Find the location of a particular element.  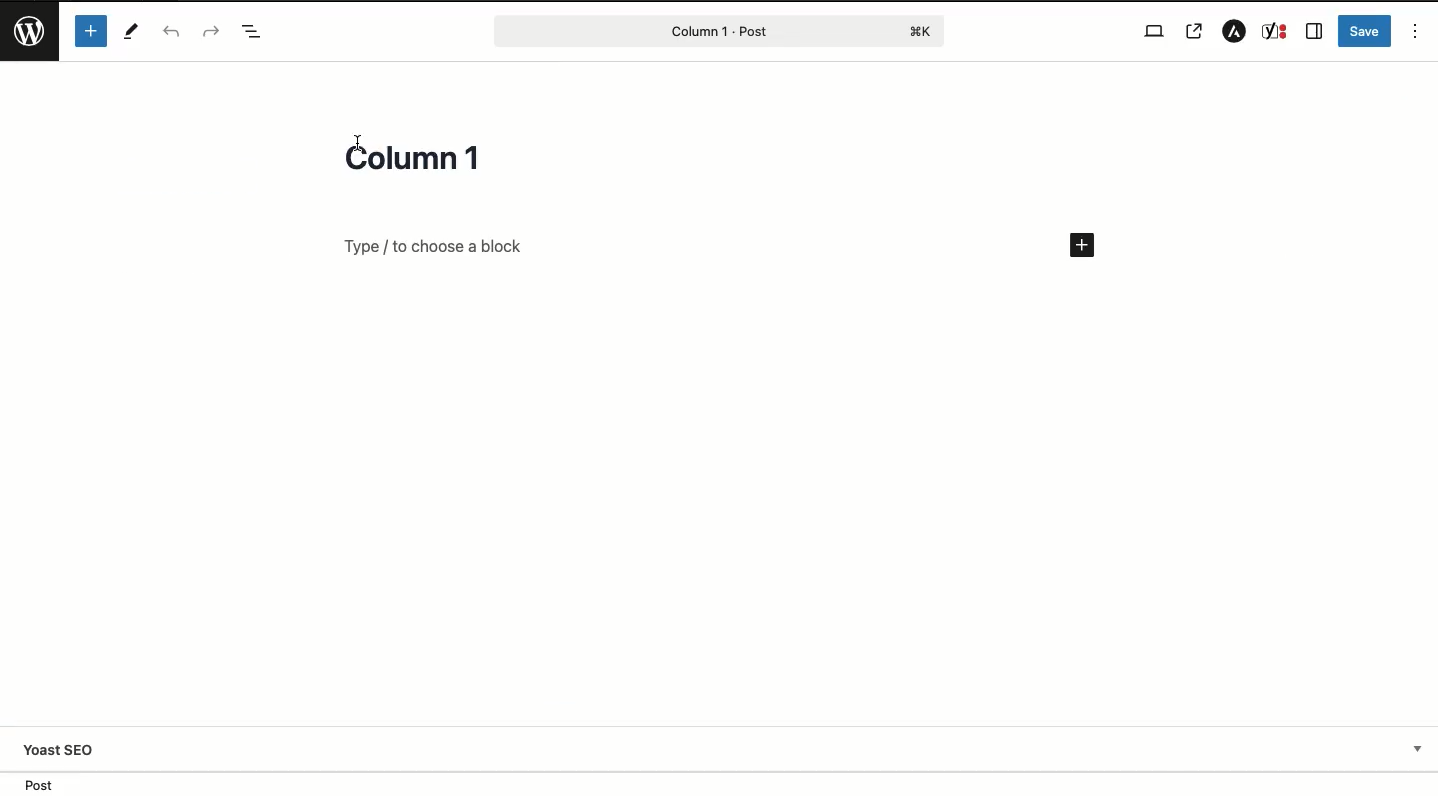

UNDO is located at coordinates (171, 33).